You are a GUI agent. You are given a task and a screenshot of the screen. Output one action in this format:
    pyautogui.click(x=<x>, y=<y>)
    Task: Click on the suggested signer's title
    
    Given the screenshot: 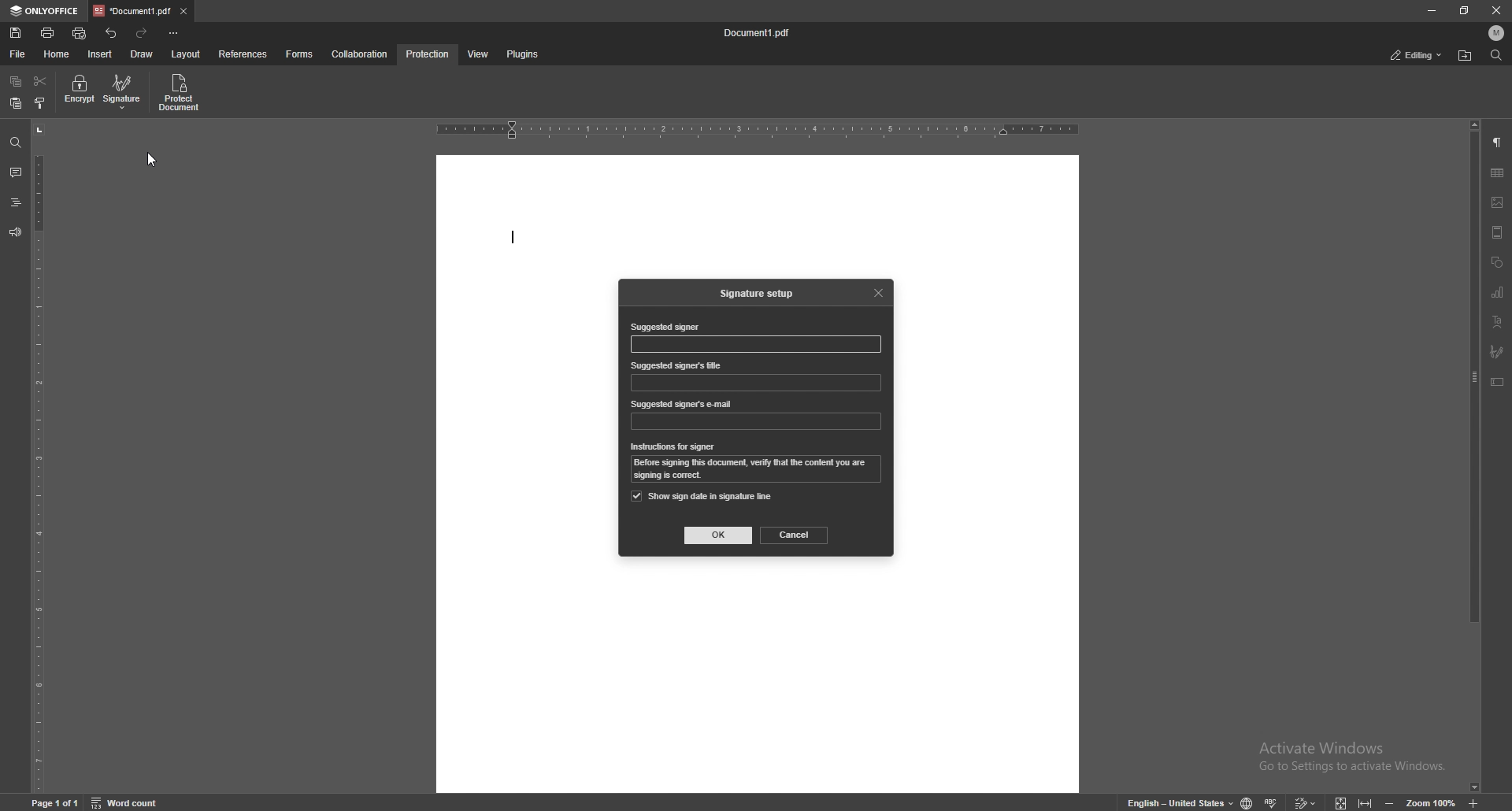 What is the action you would take?
    pyautogui.click(x=677, y=365)
    